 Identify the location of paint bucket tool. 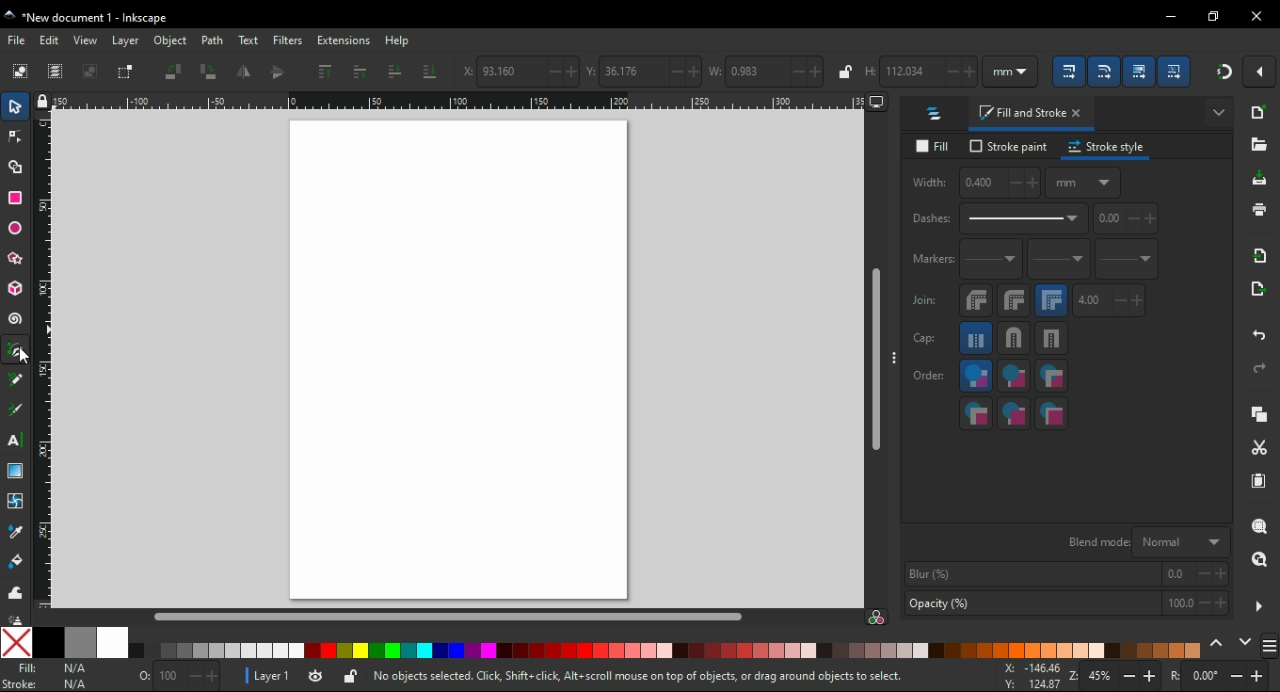
(19, 561).